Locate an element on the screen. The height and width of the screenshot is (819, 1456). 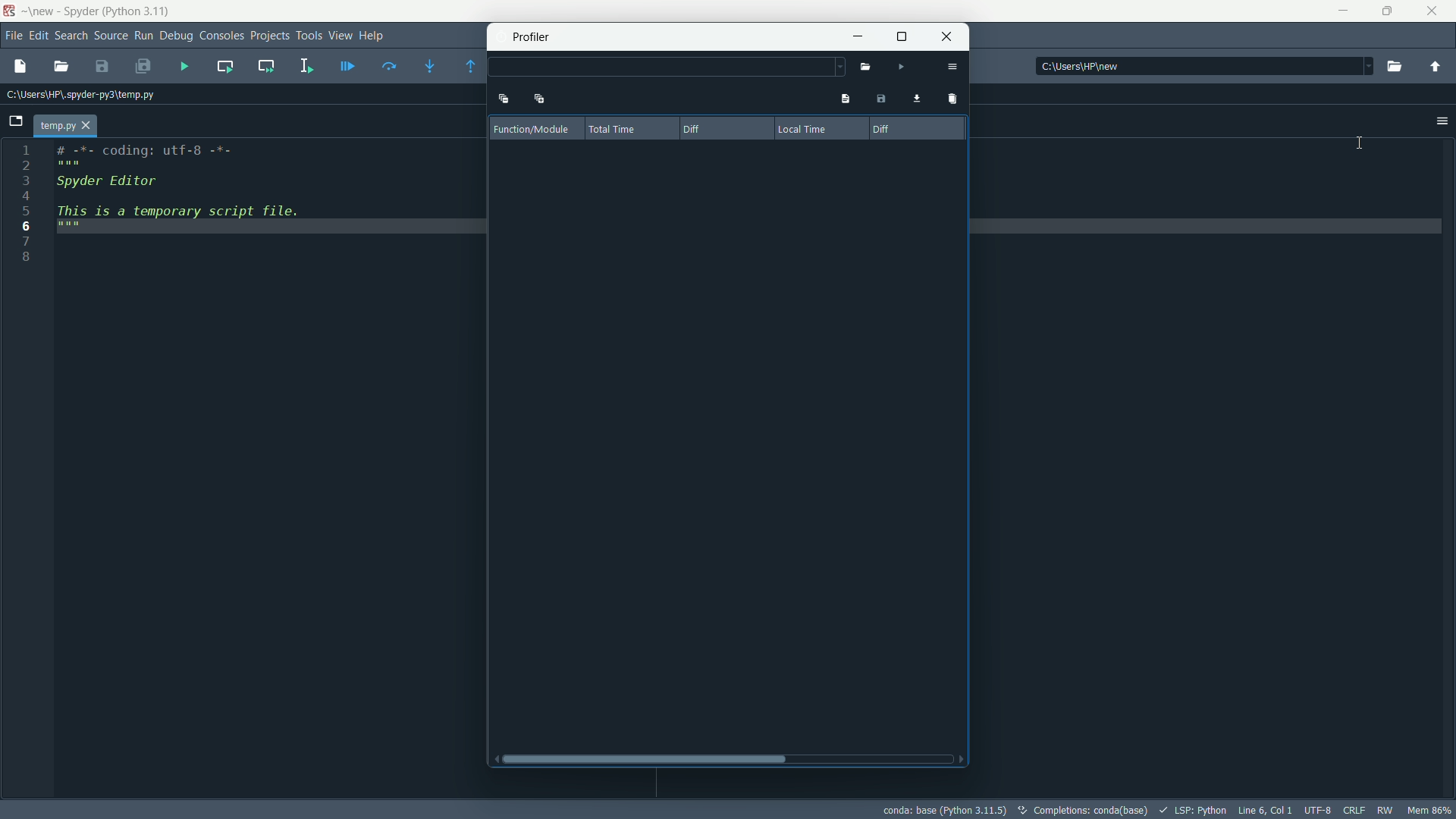
file menu is located at coordinates (11, 37).